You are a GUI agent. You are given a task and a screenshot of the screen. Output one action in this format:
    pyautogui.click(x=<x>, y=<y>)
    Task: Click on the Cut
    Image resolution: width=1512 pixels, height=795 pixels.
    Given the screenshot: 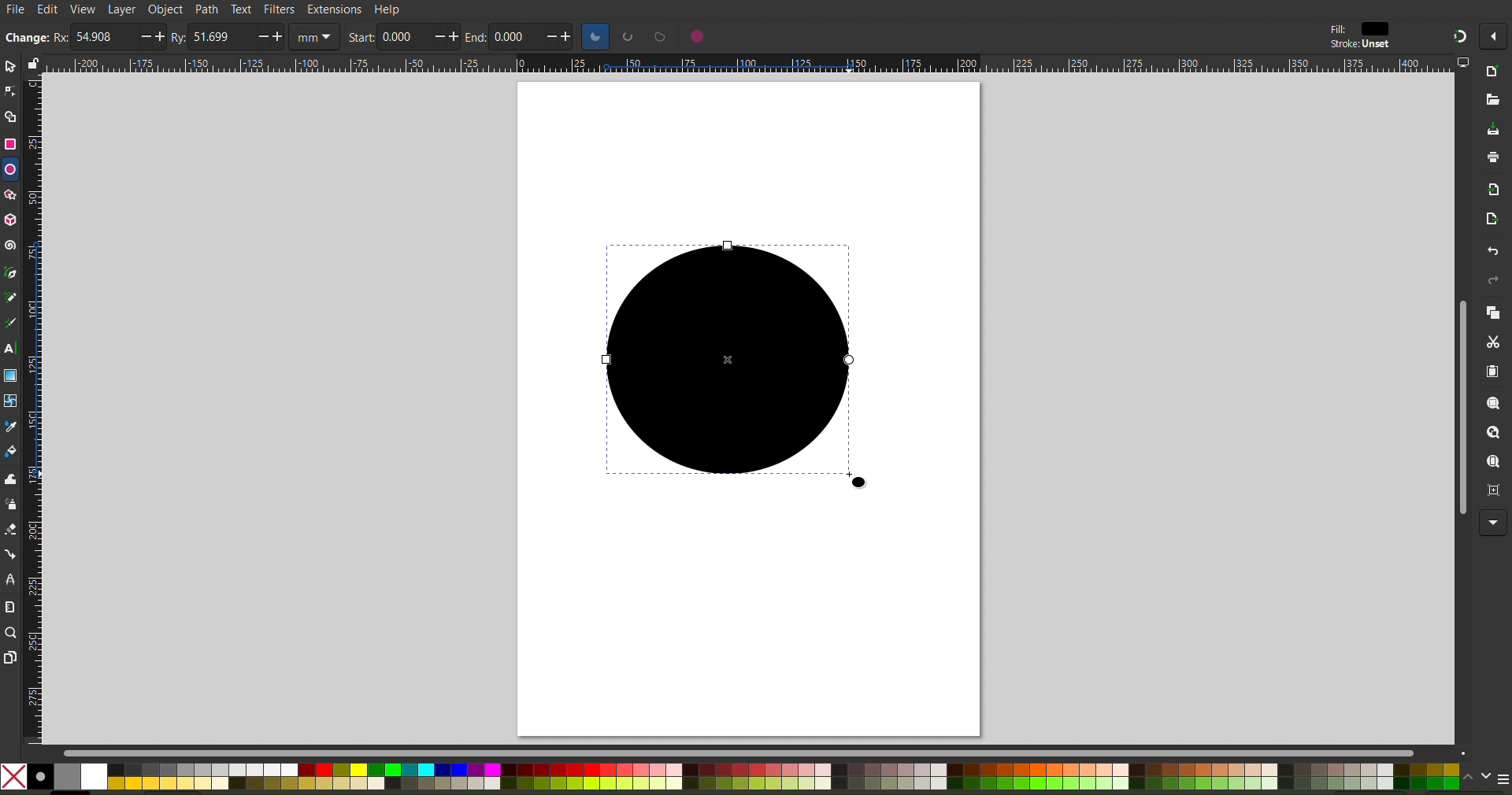 What is the action you would take?
    pyautogui.click(x=1492, y=342)
    